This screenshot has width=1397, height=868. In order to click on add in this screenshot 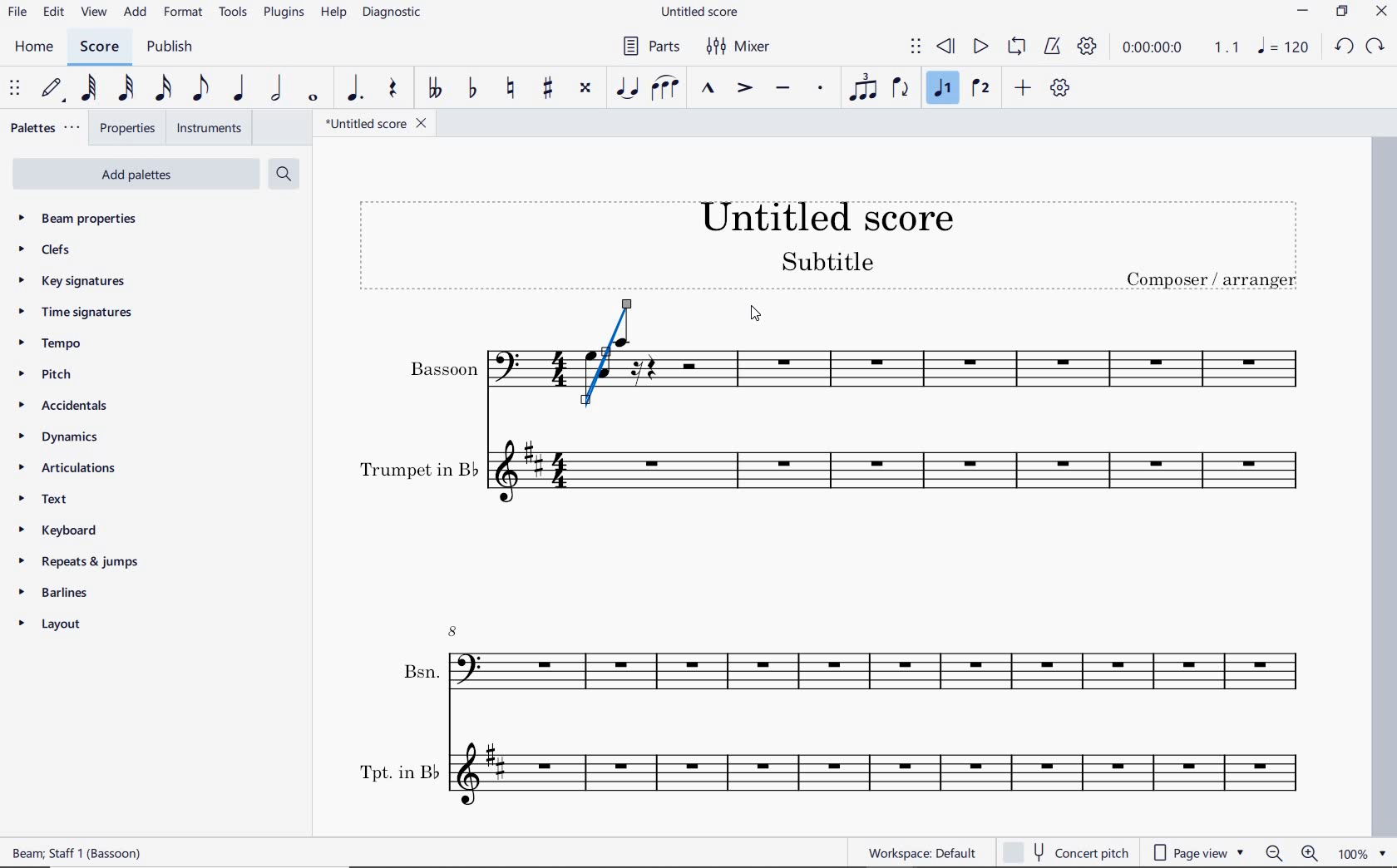, I will do `click(135, 12)`.